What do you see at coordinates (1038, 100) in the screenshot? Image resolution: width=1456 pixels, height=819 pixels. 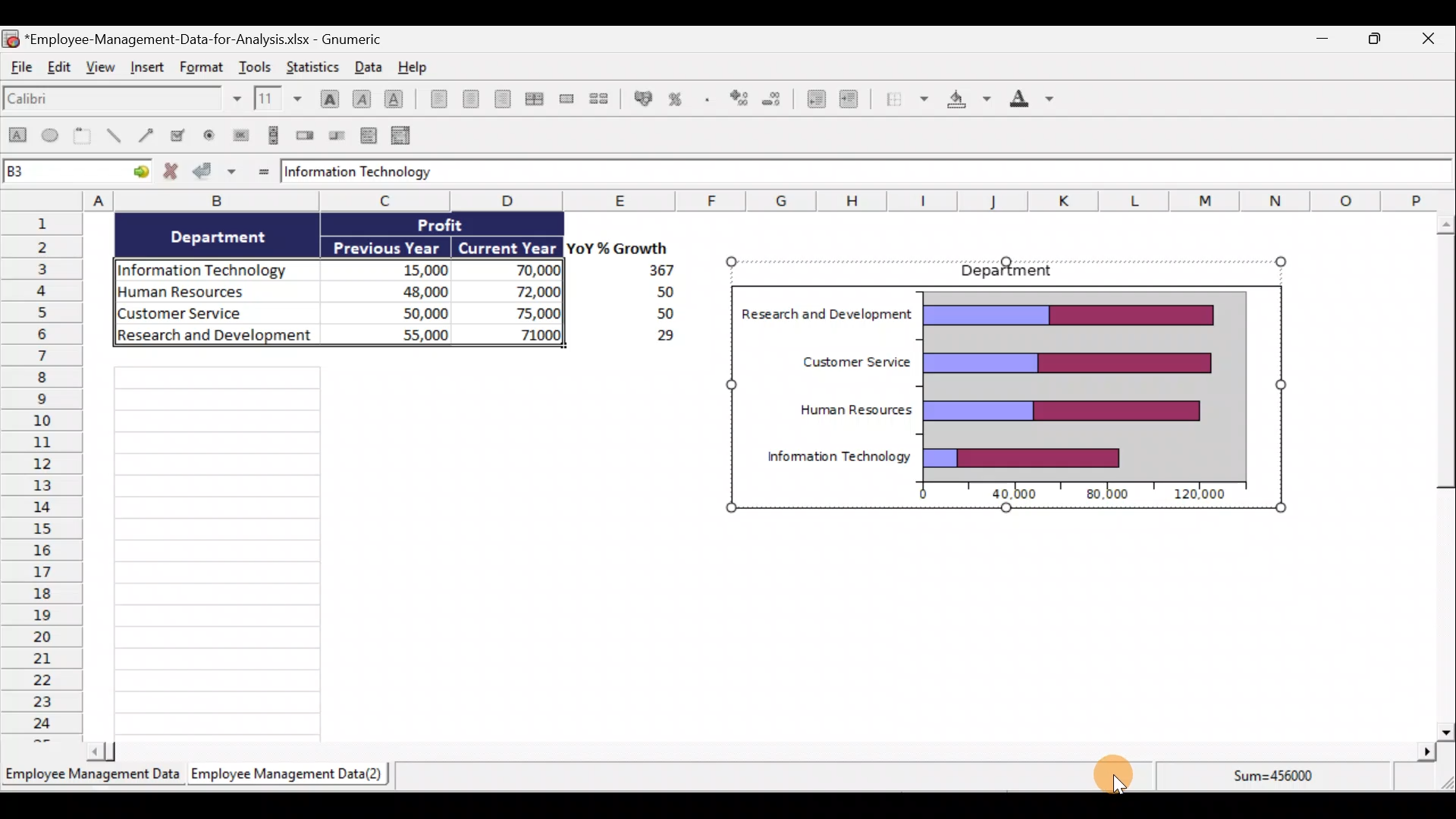 I see `Foreground` at bounding box center [1038, 100].